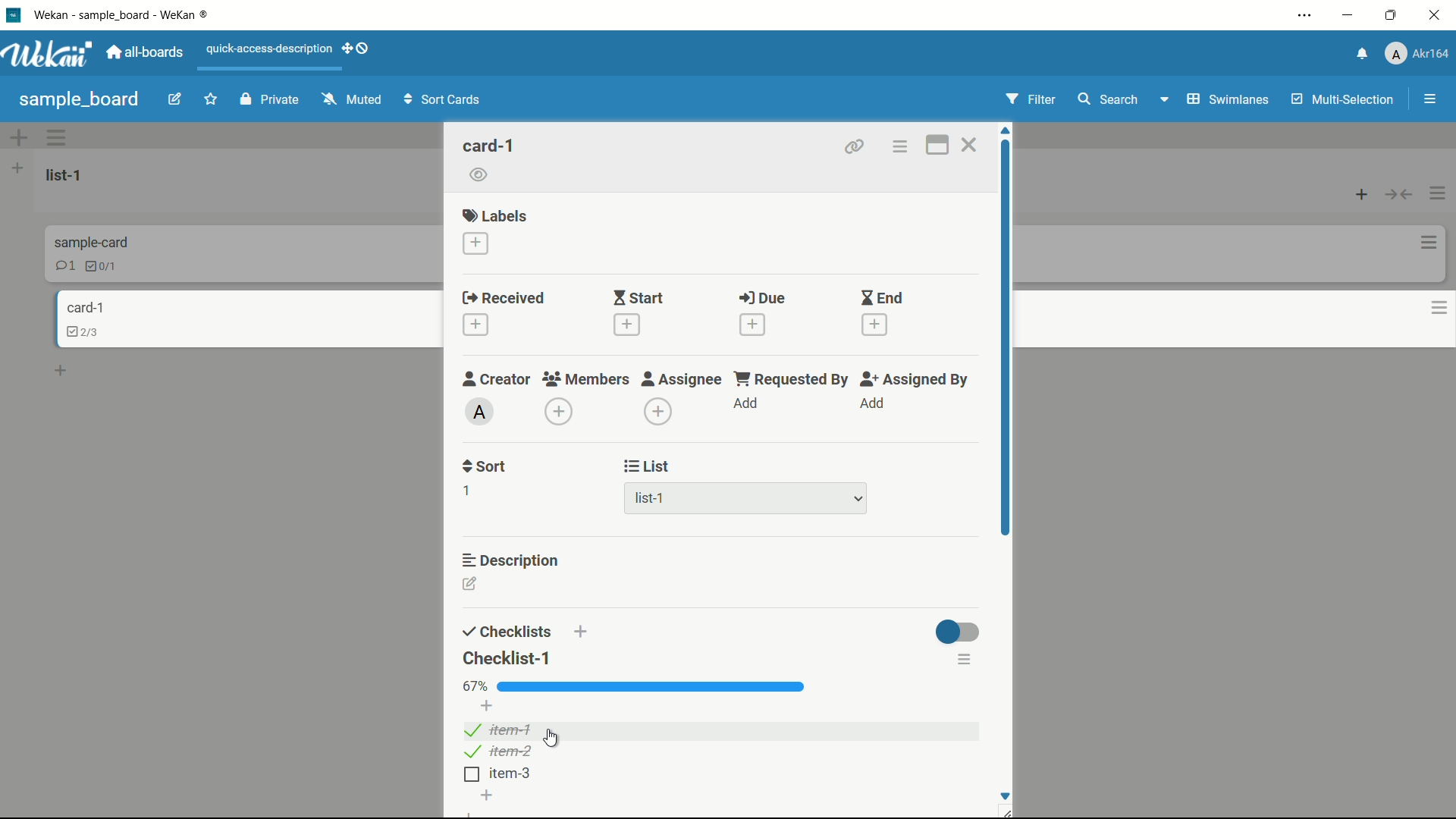 The width and height of the screenshot is (1456, 819). What do you see at coordinates (486, 795) in the screenshot?
I see `add item` at bounding box center [486, 795].